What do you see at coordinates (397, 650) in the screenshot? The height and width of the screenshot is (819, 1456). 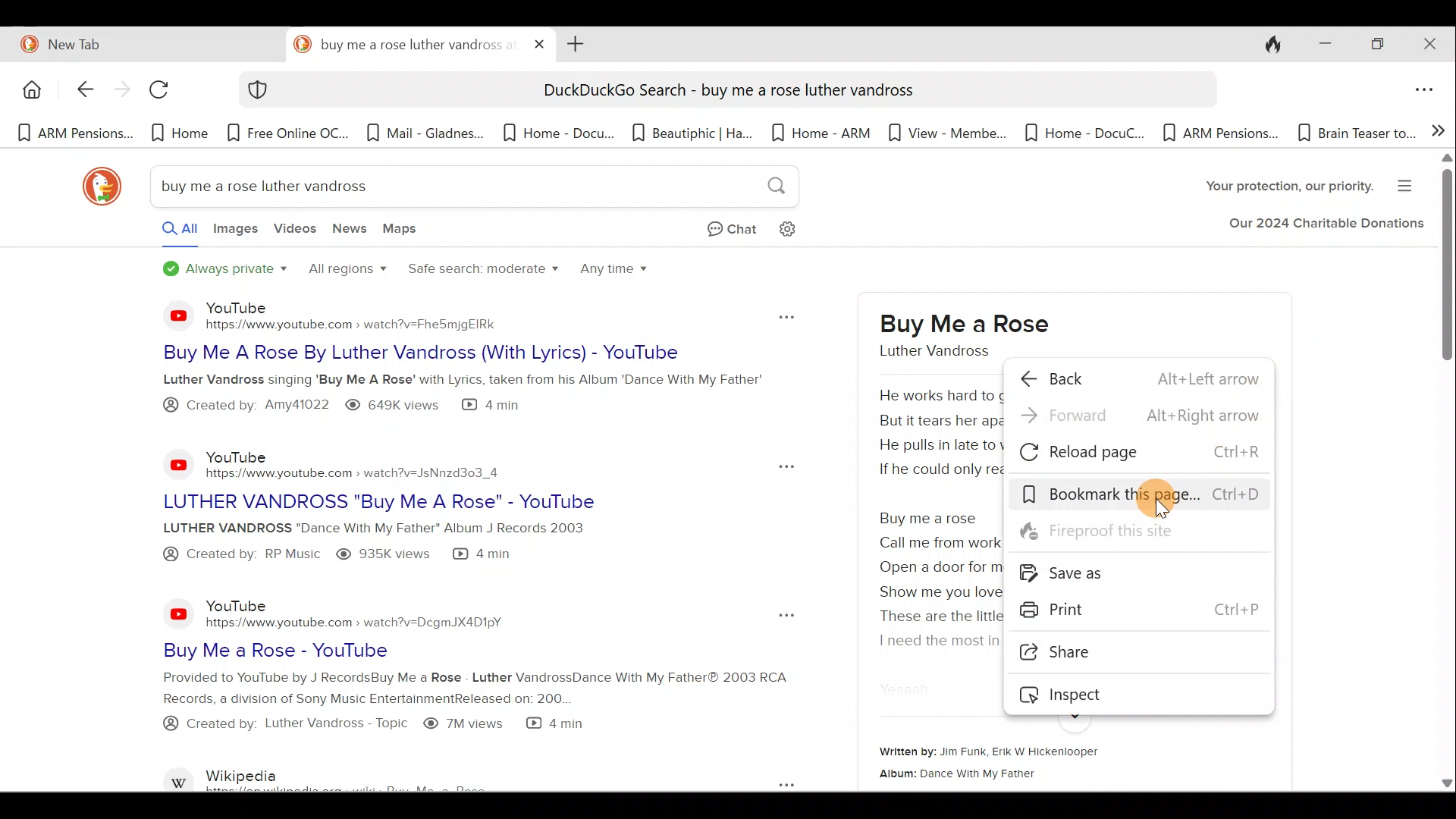 I see `Buy Me a Rose - YouTube` at bounding box center [397, 650].